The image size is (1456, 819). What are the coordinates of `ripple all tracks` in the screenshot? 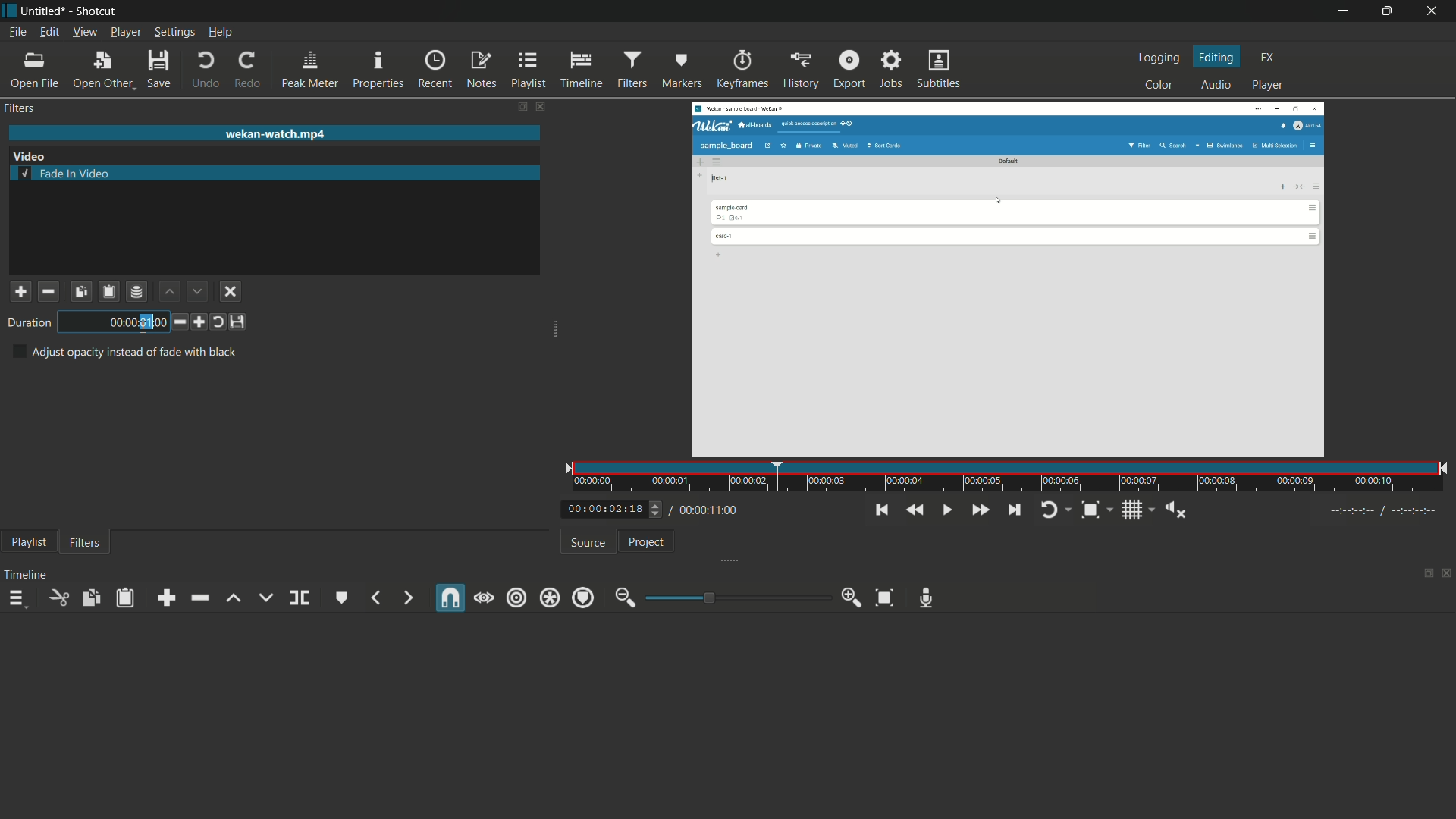 It's located at (550, 598).